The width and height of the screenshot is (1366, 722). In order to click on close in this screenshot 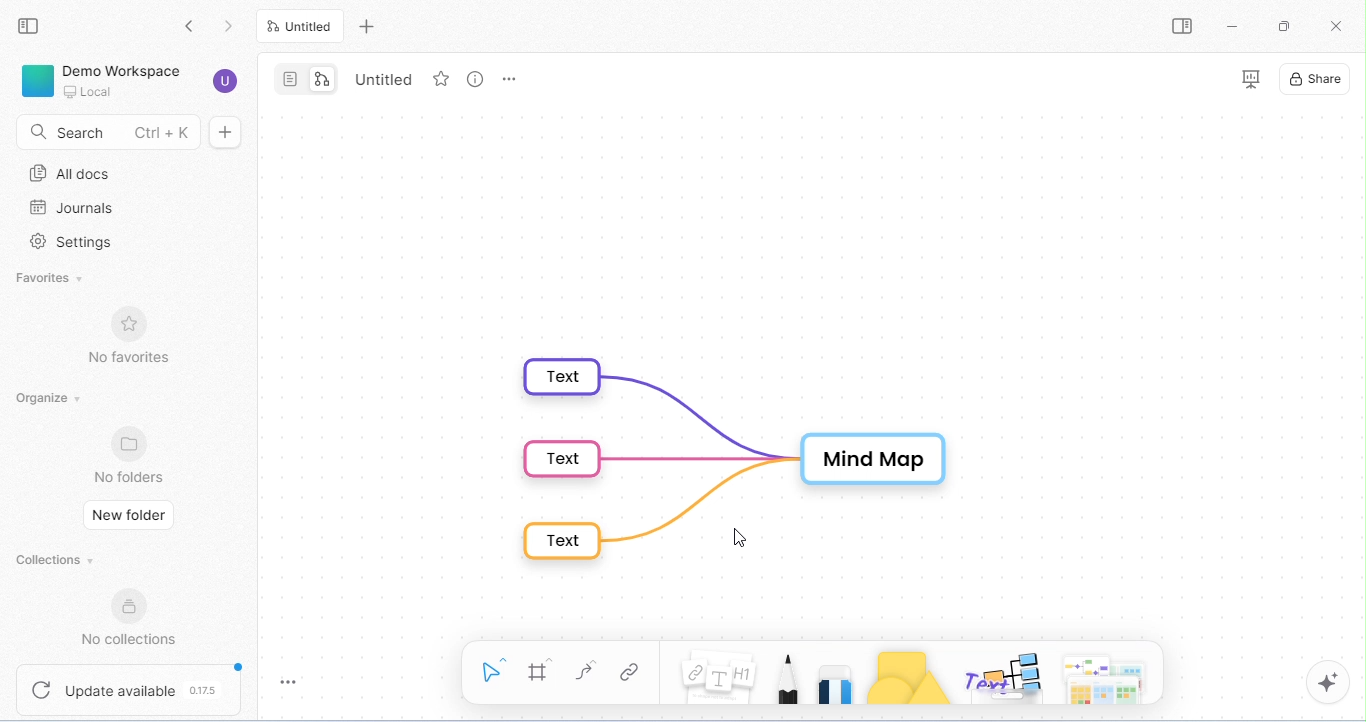, I will do `click(1334, 28)`.